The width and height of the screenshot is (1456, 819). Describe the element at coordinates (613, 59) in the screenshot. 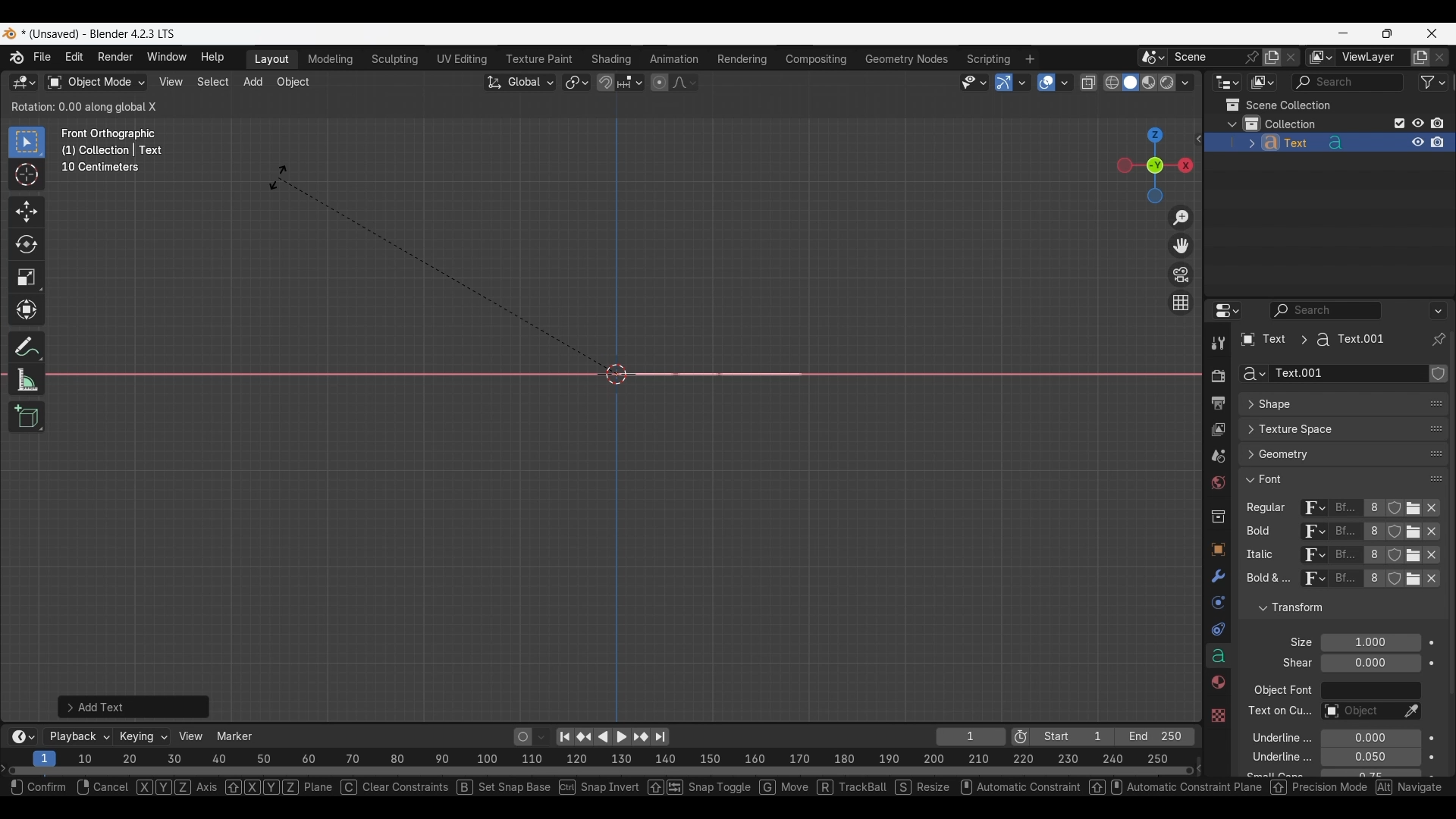

I see `Shading workspace ` at that location.